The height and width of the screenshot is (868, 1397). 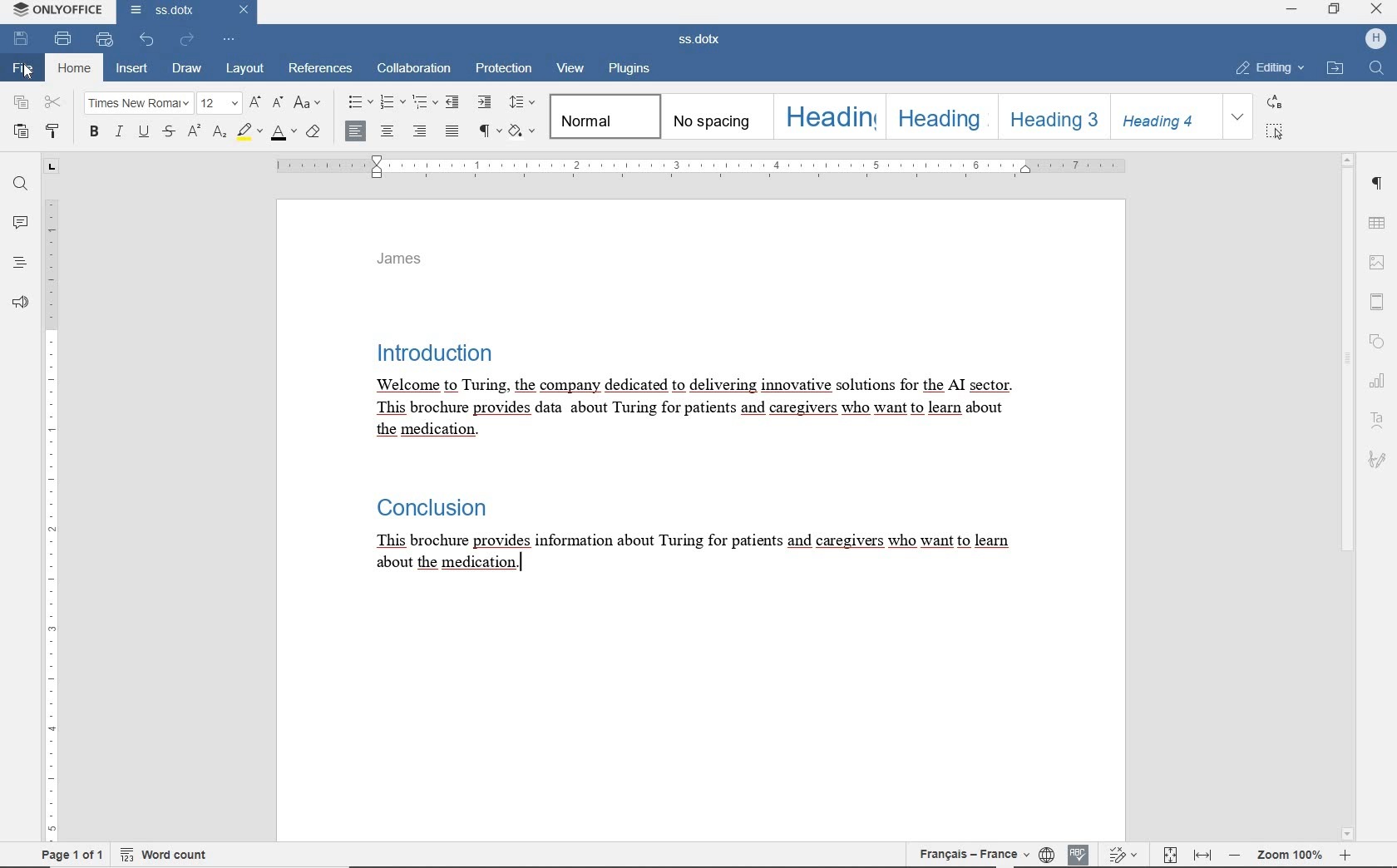 What do you see at coordinates (1079, 852) in the screenshot?
I see `SPELL CHECKING` at bounding box center [1079, 852].